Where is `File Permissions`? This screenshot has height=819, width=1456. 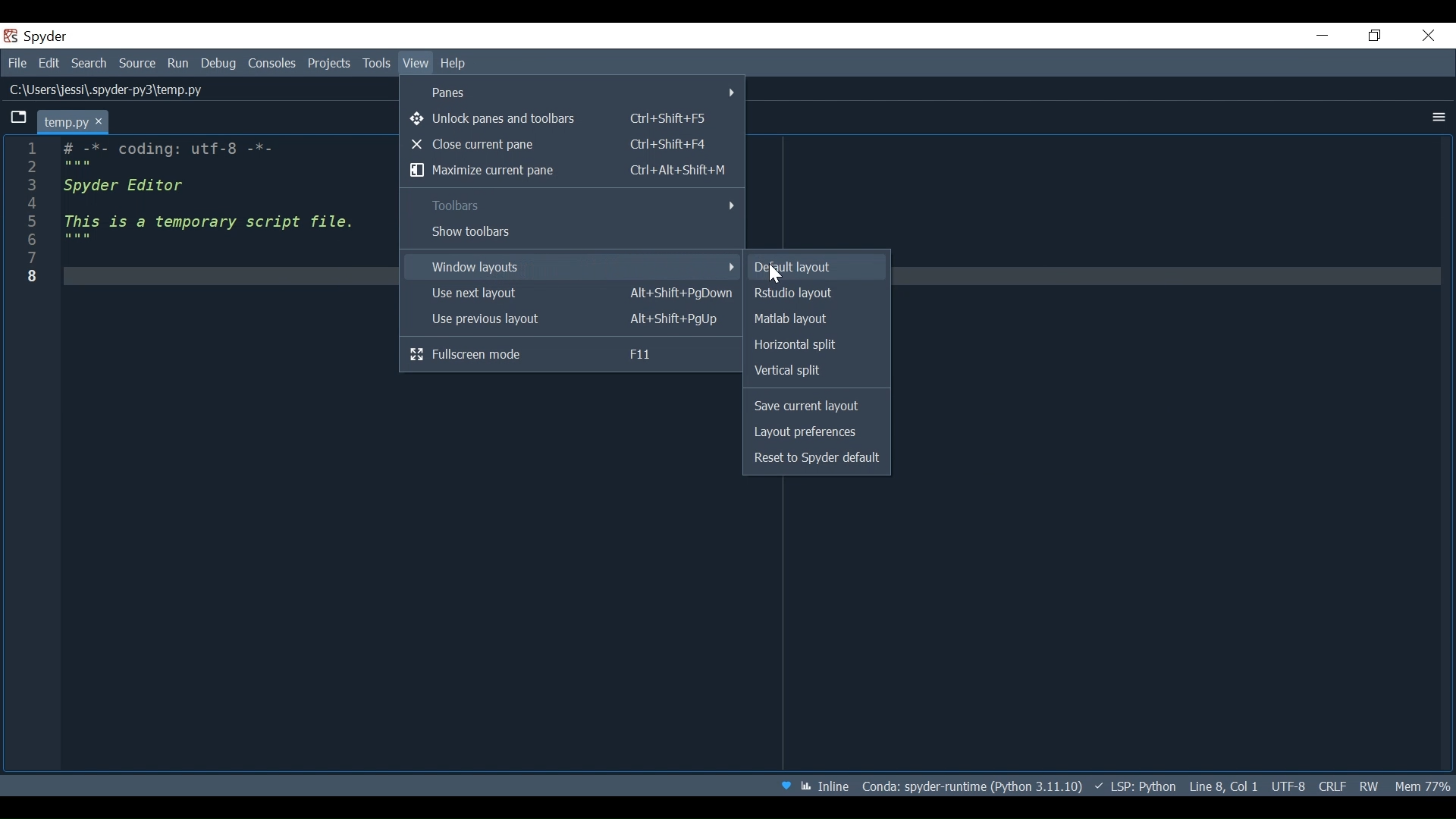
File Permissions is located at coordinates (1370, 787).